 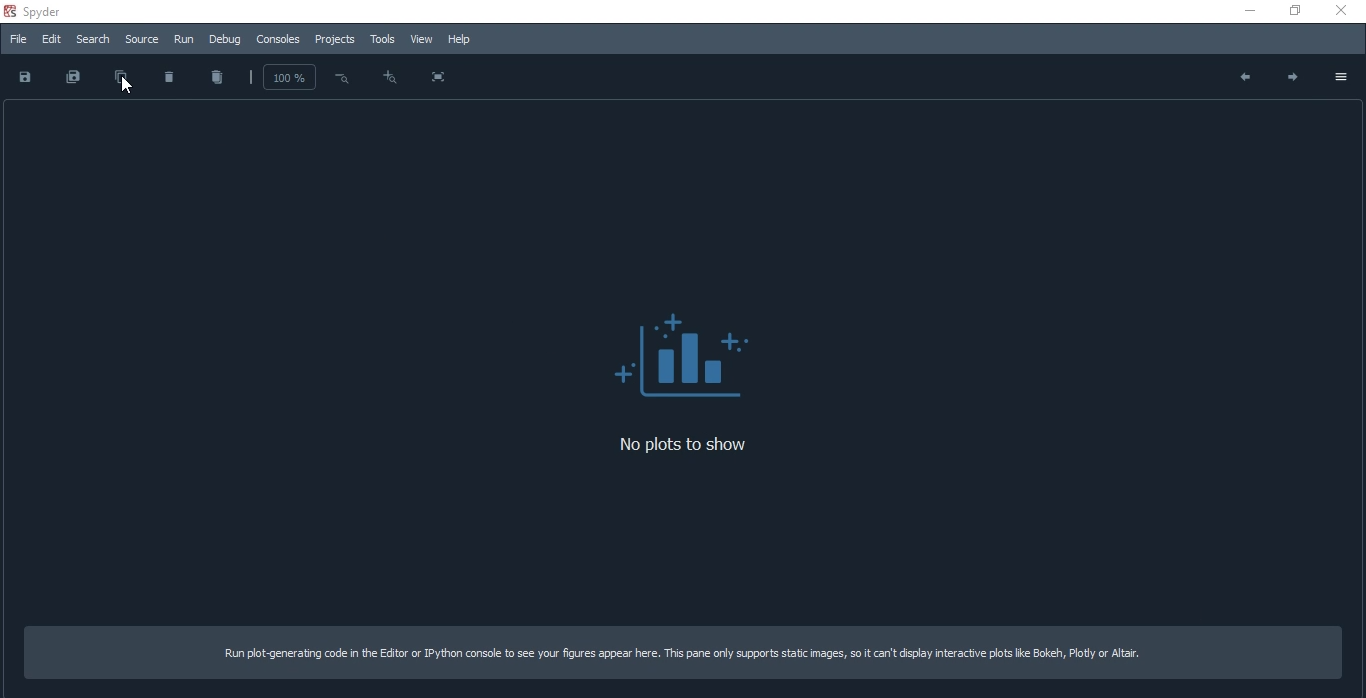 I want to click on File , so click(x=19, y=38).